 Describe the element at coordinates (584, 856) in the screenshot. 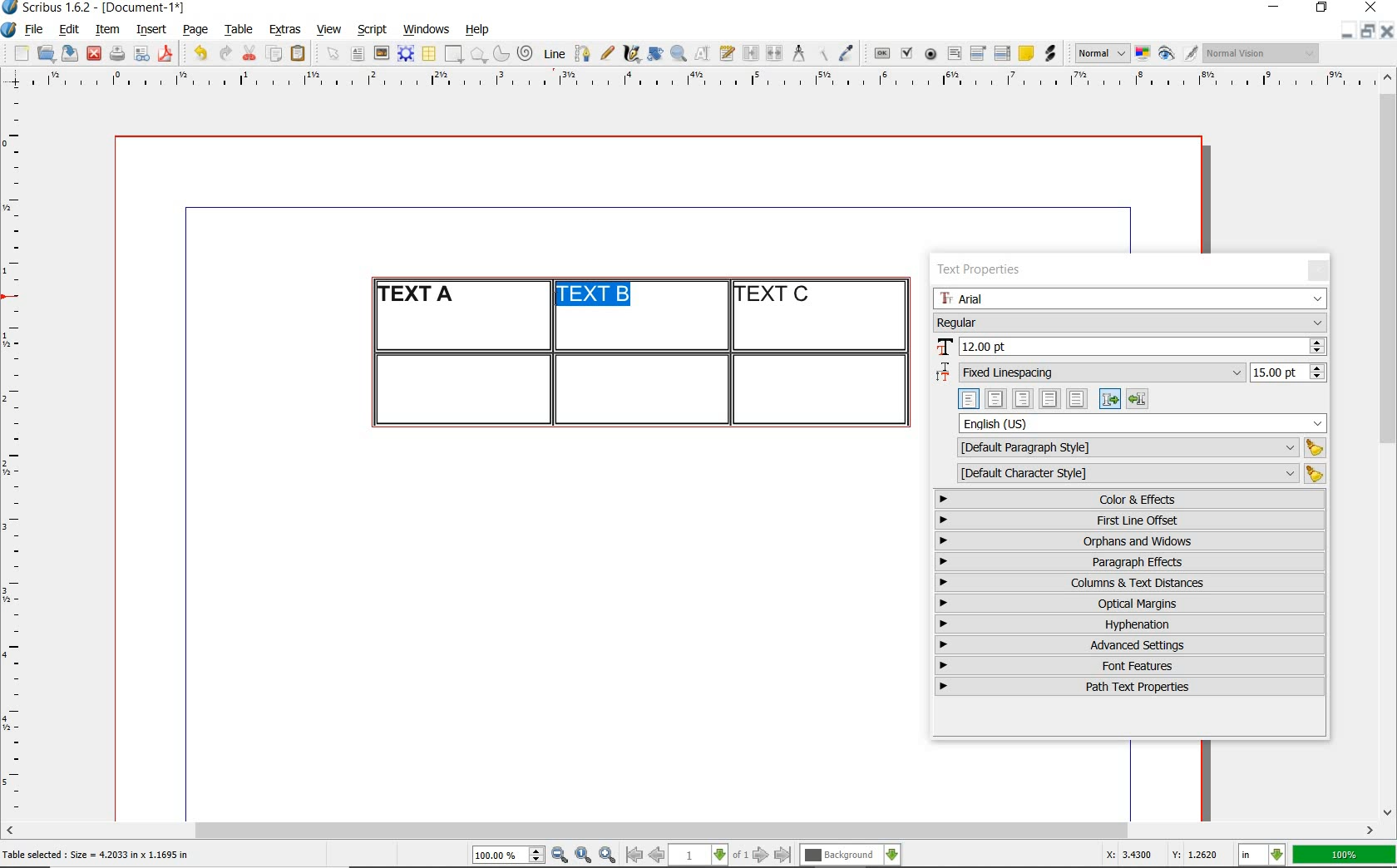

I see `zoom to` at that location.